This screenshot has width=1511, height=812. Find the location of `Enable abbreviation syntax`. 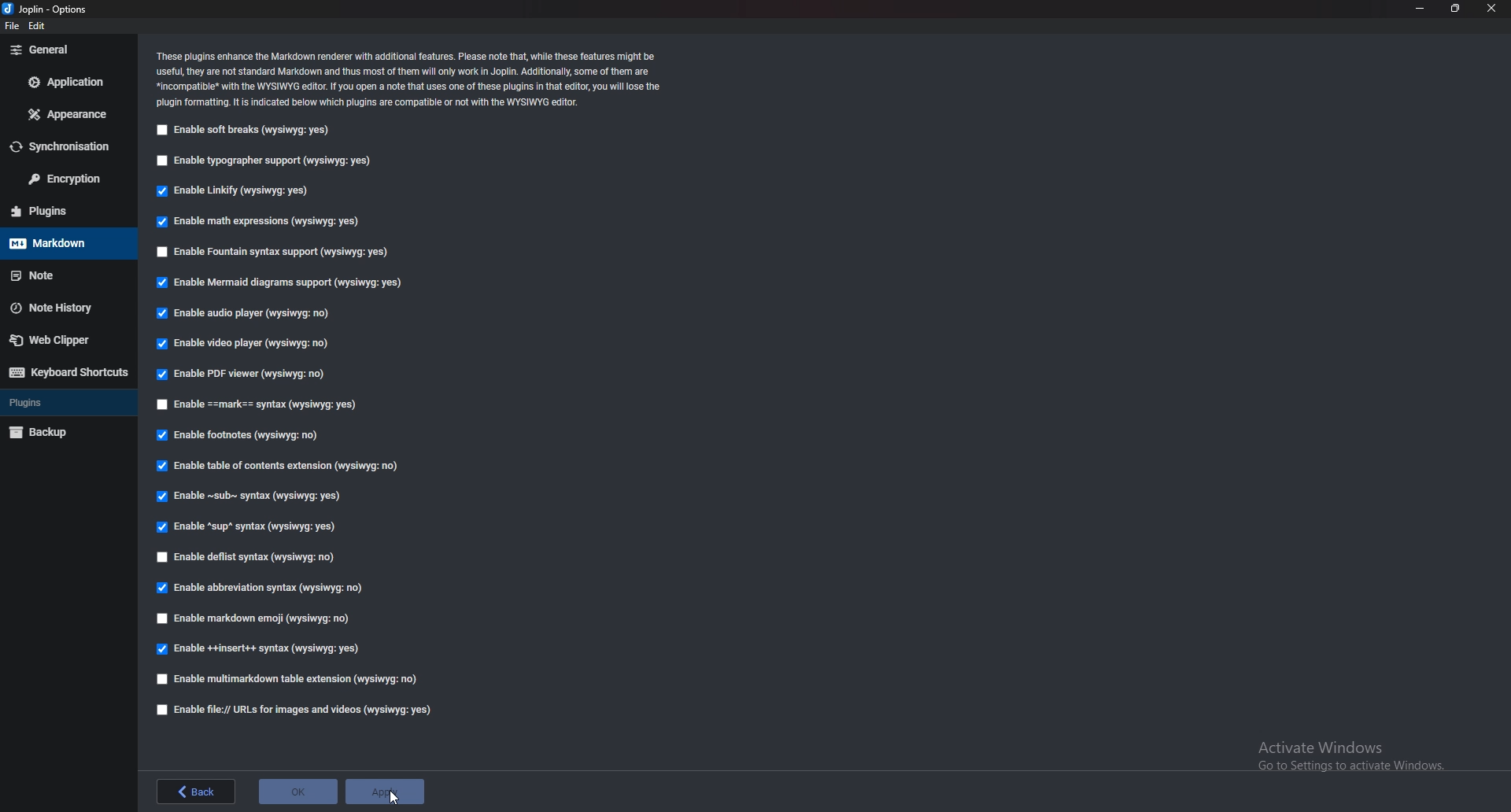

Enable abbreviation syntax is located at coordinates (269, 586).